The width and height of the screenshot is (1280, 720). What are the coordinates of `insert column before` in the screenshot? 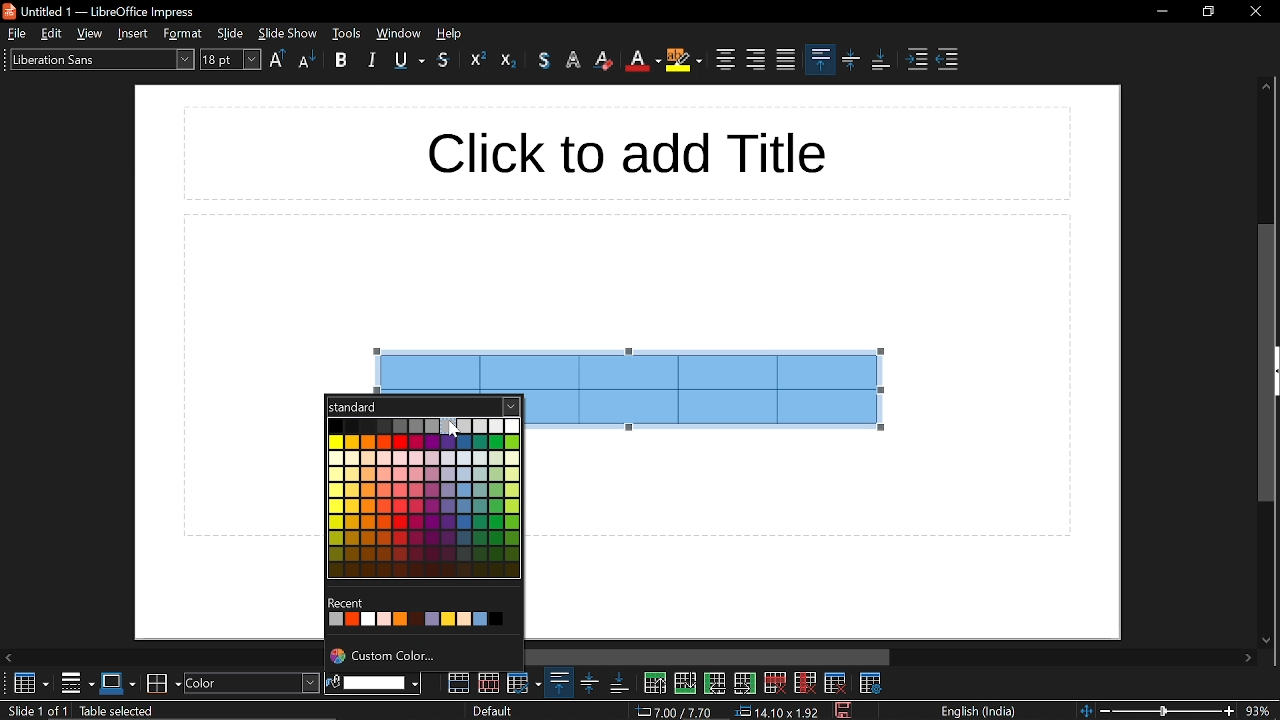 It's located at (715, 683).